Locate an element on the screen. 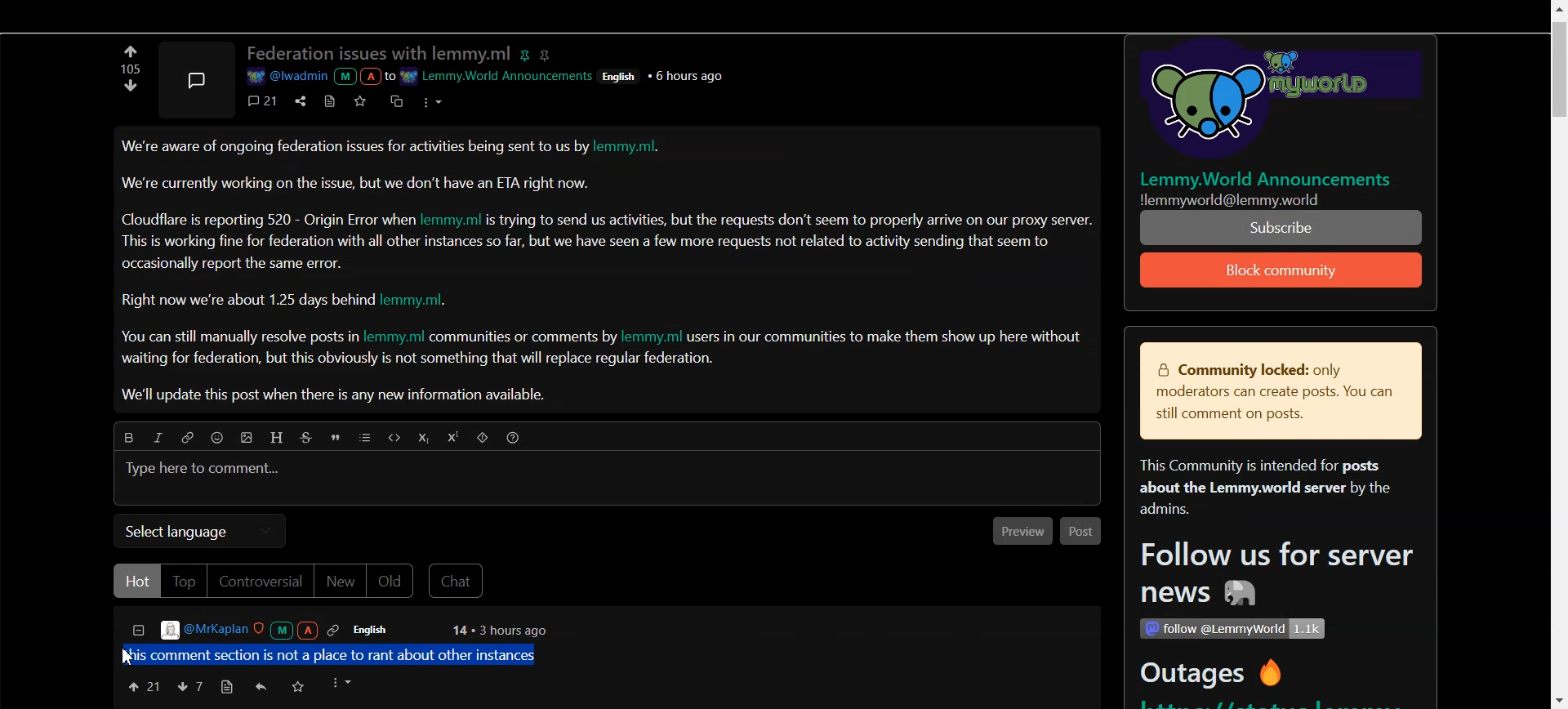 Image resolution: width=1568 pixels, height=709 pixels. We're currently working on the issue, but we don’t have an ETA right now. is located at coordinates (357, 183).